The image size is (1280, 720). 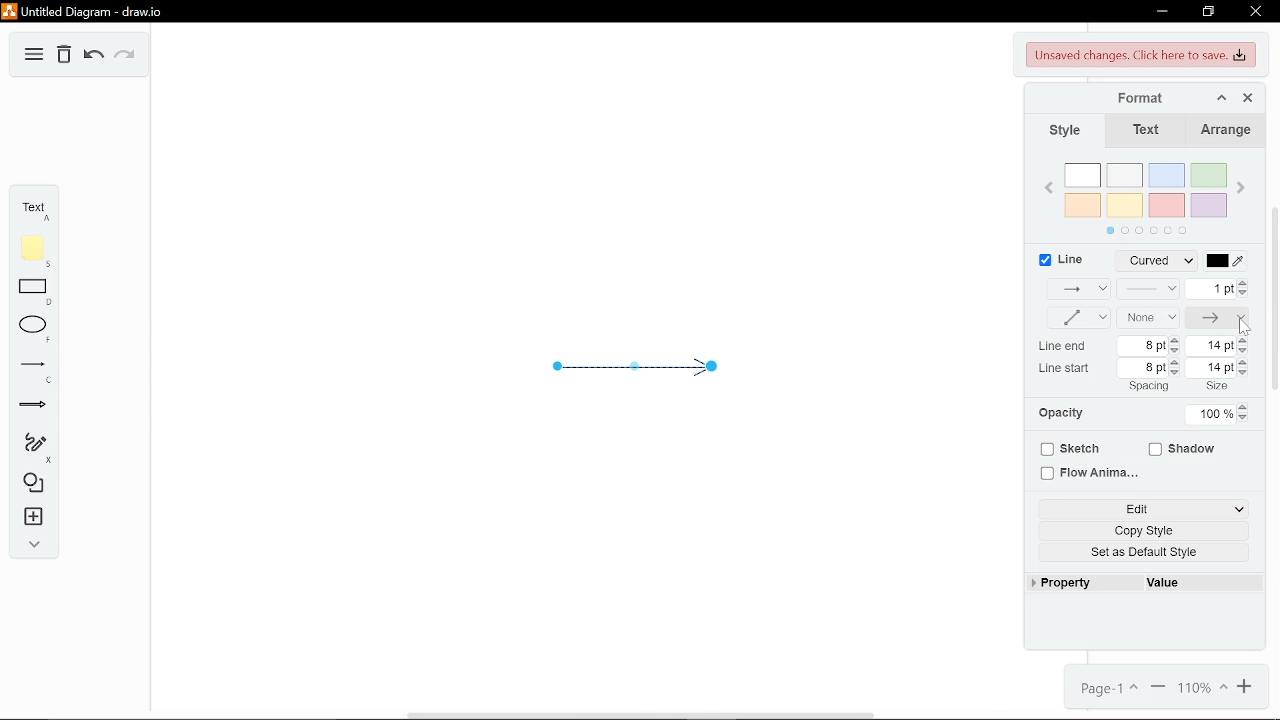 I want to click on Decrease line start spacing, so click(x=1176, y=374).